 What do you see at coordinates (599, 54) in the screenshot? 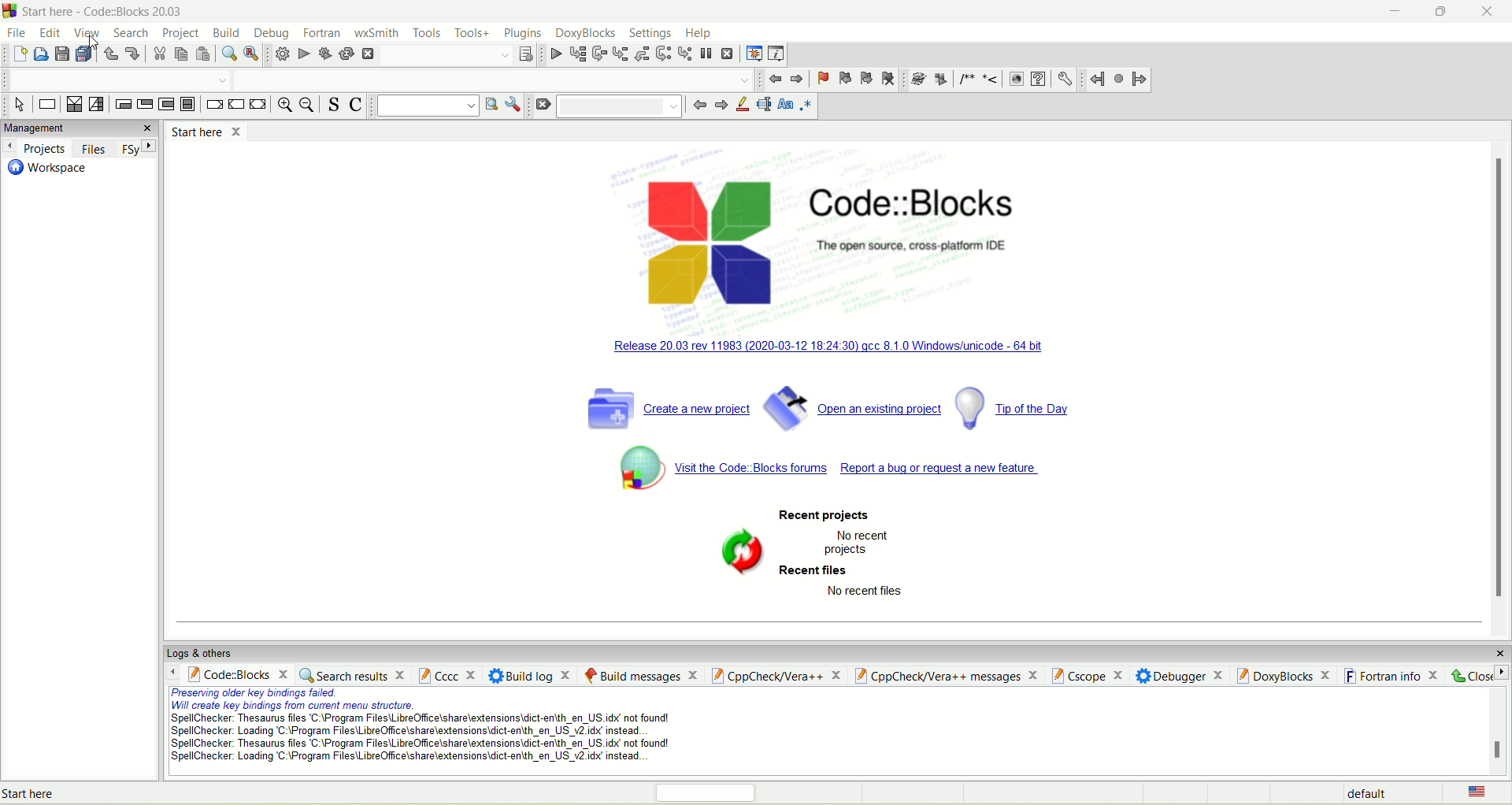
I see `next line` at bounding box center [599, 54].